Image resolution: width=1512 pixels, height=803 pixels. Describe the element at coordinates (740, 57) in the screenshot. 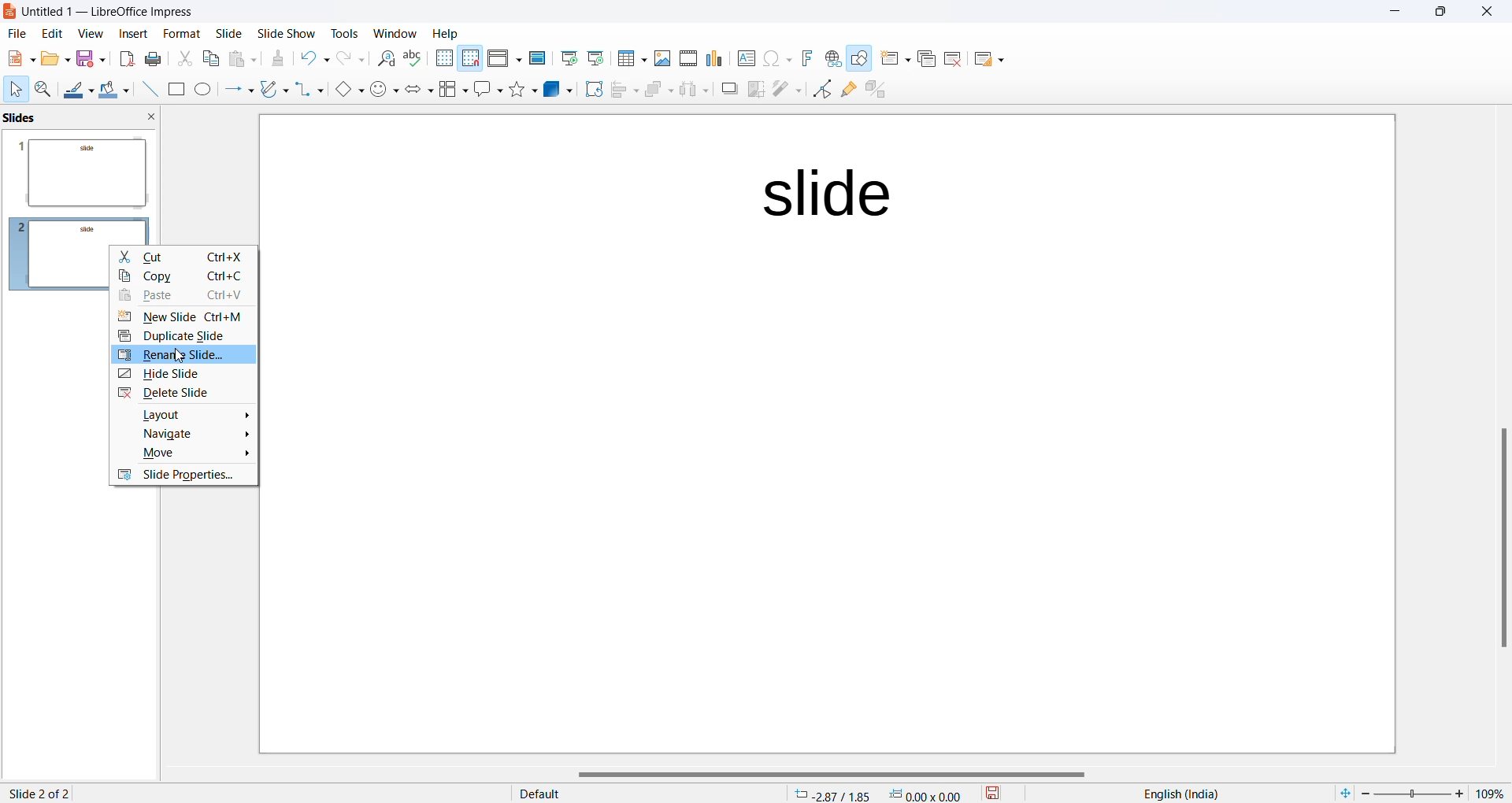

I see `Insert text` at that location.